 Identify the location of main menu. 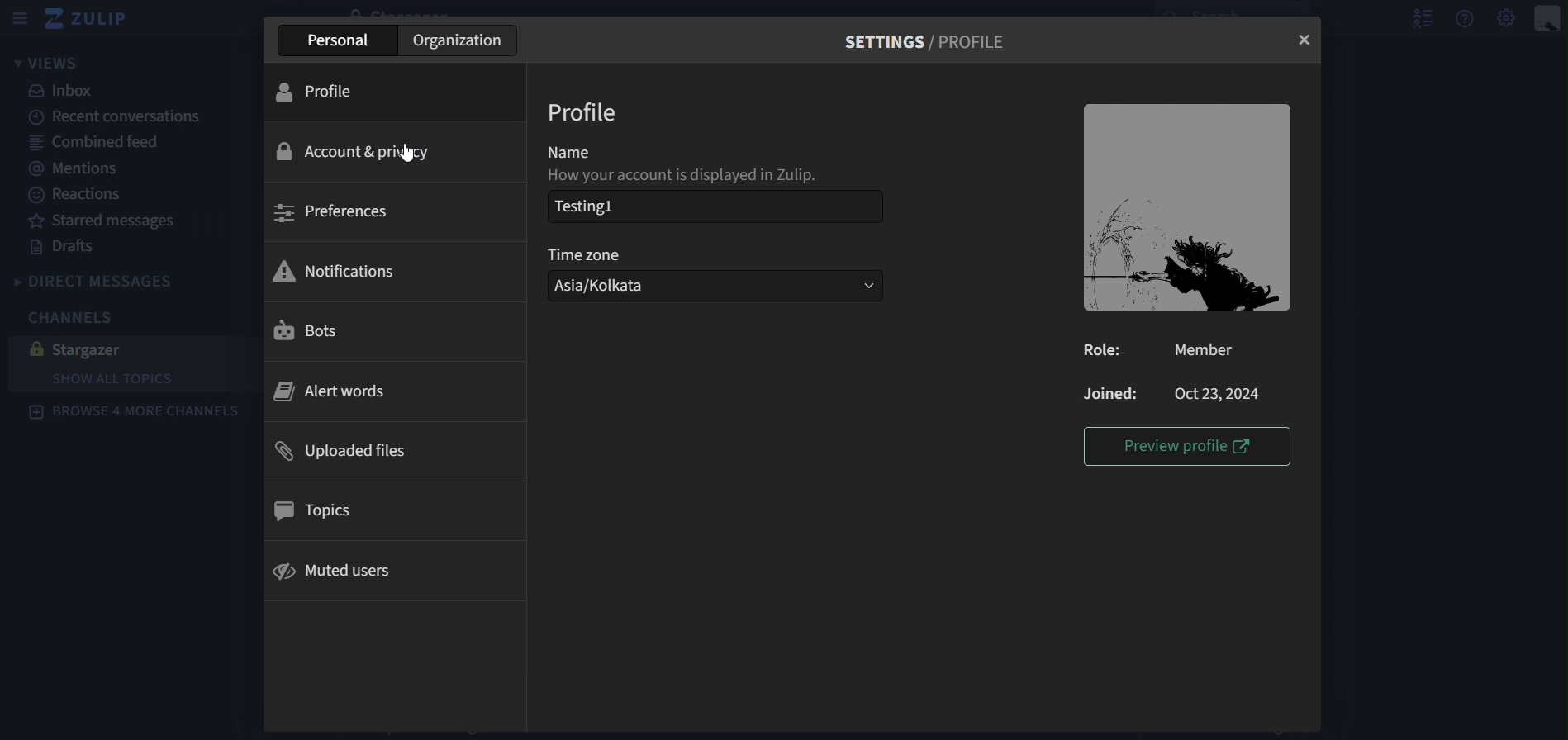
(1506, 19).